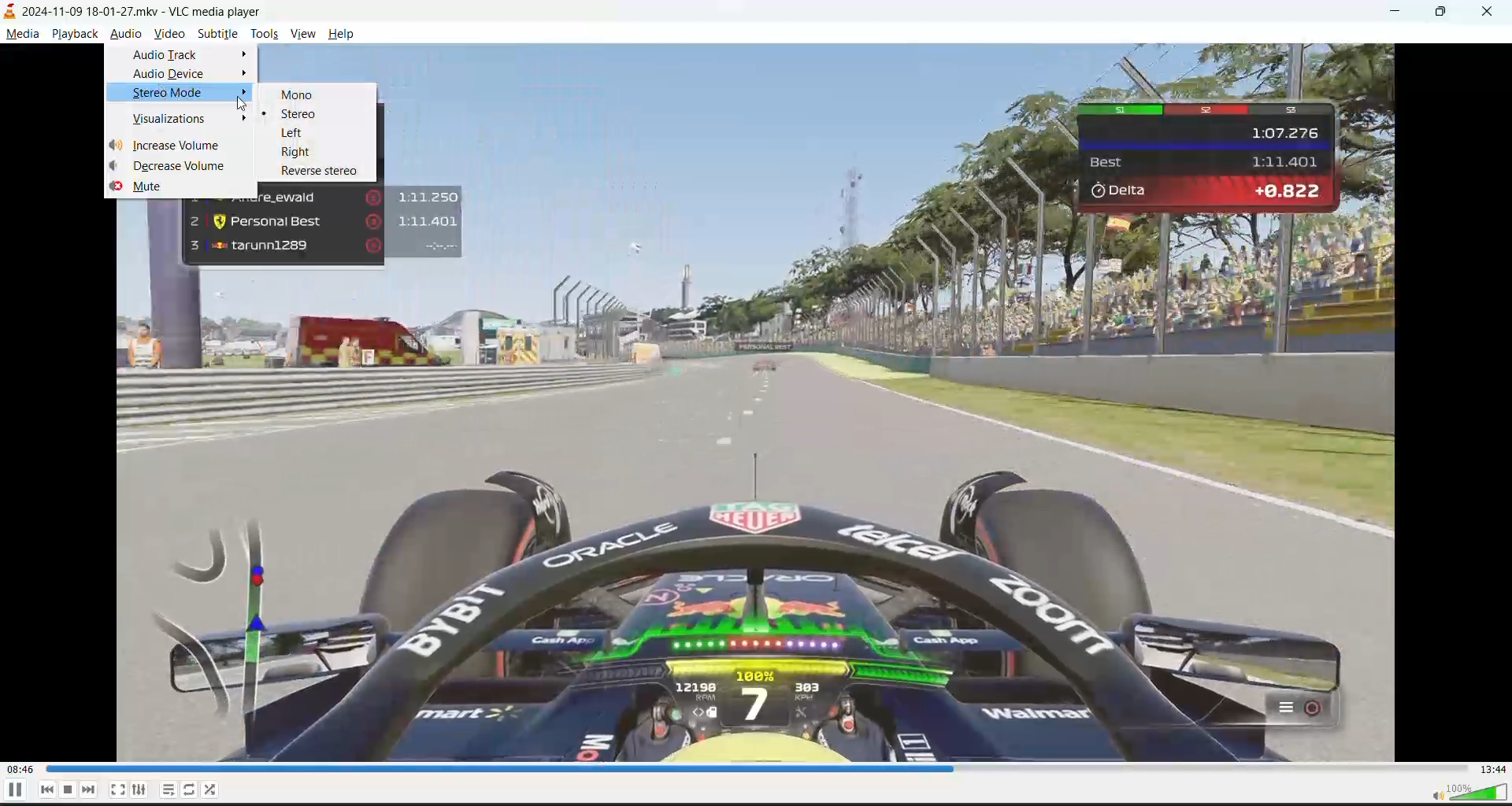 This screenshot has width=1512, height=806. Describe the element at coordinates (1493, 767) in the screenshot. I see `total track time` at that location.